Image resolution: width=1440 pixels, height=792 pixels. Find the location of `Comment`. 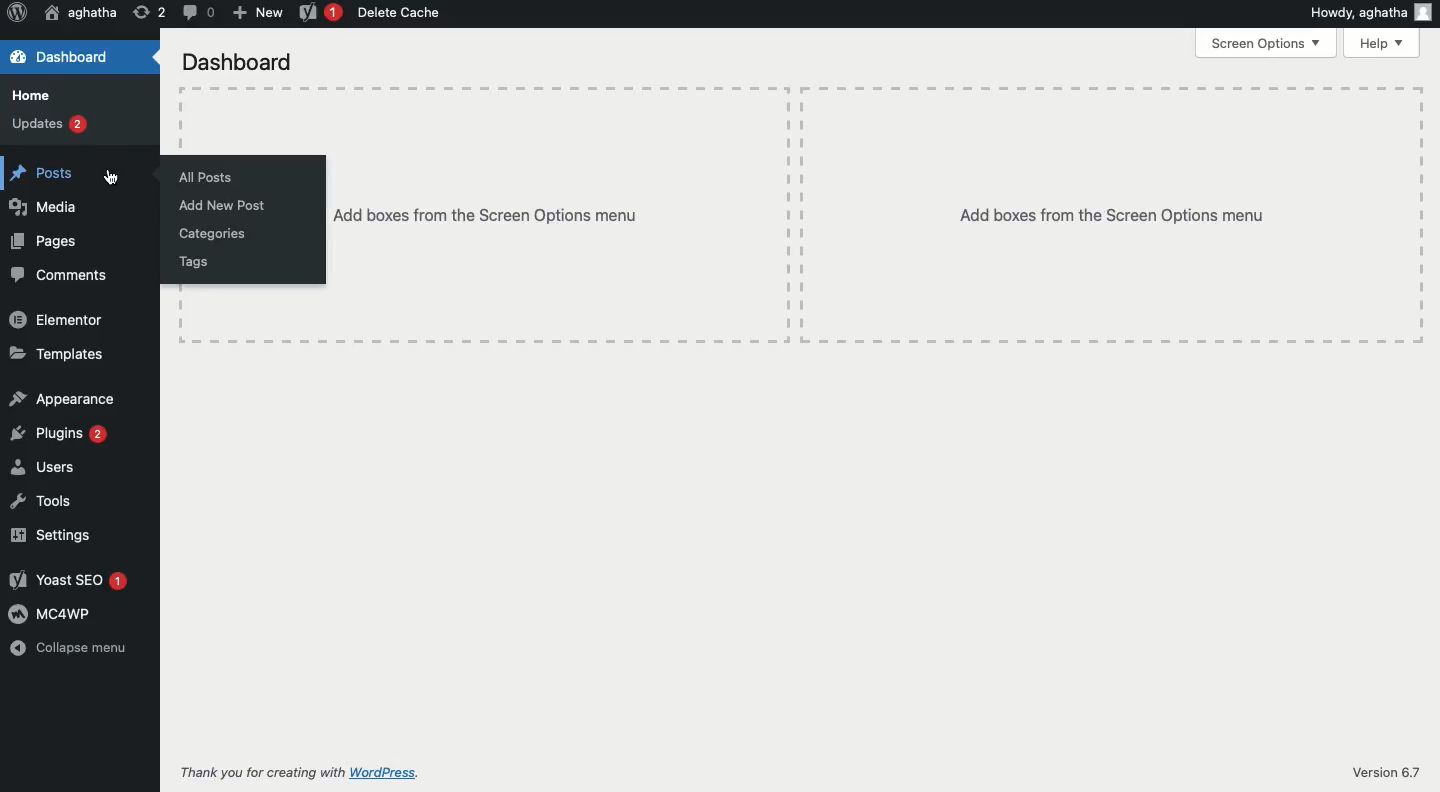

Comment is located at coordinates (197, 14).